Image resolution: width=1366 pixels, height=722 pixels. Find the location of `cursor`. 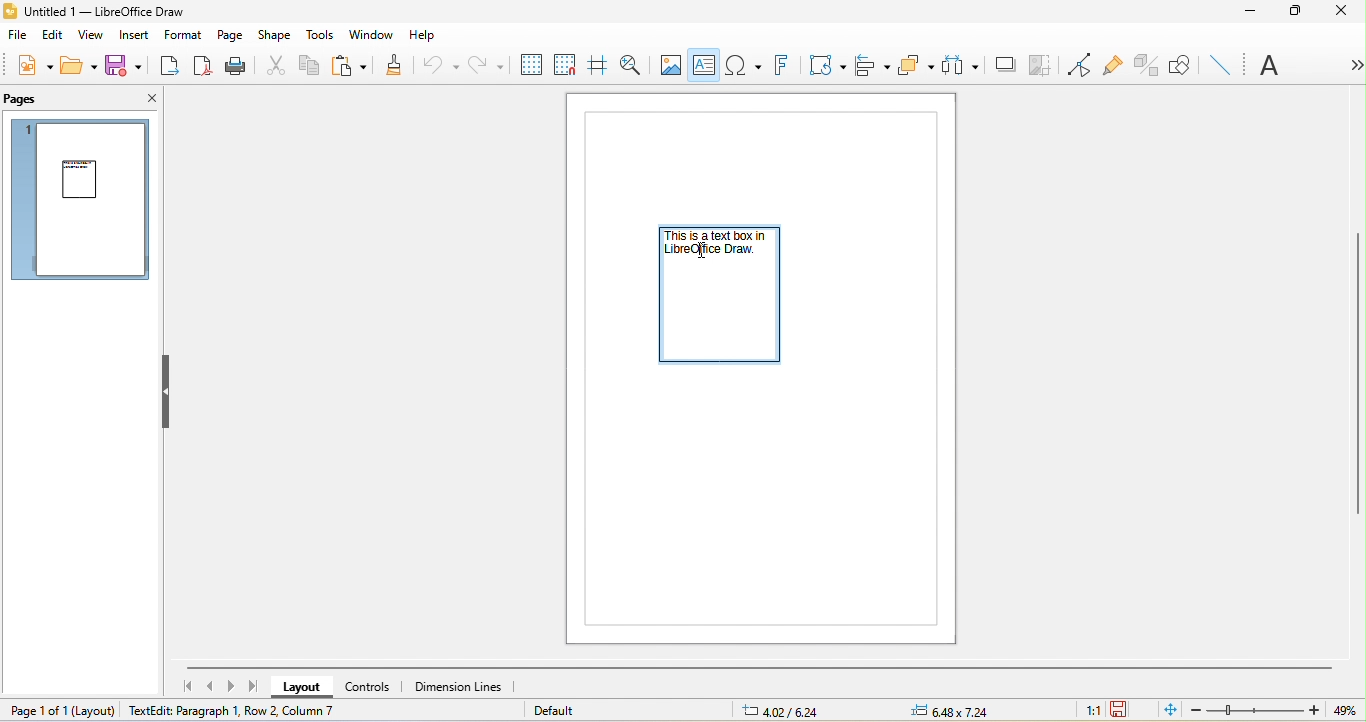

cursor is located at coordinates (701, 252).